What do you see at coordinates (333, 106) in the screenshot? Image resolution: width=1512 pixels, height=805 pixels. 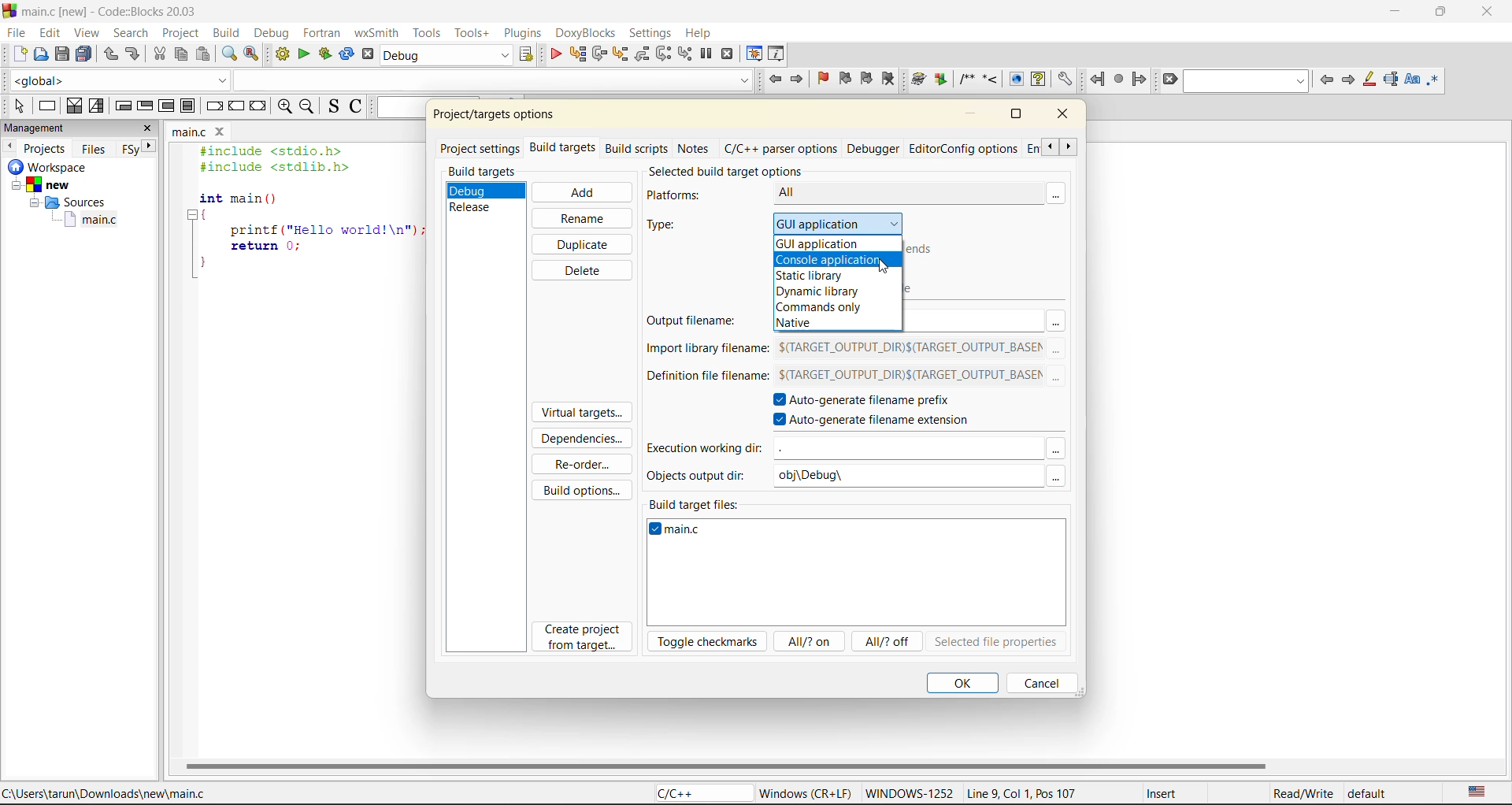 I see `toggle source` at bounding box center [333, 106].